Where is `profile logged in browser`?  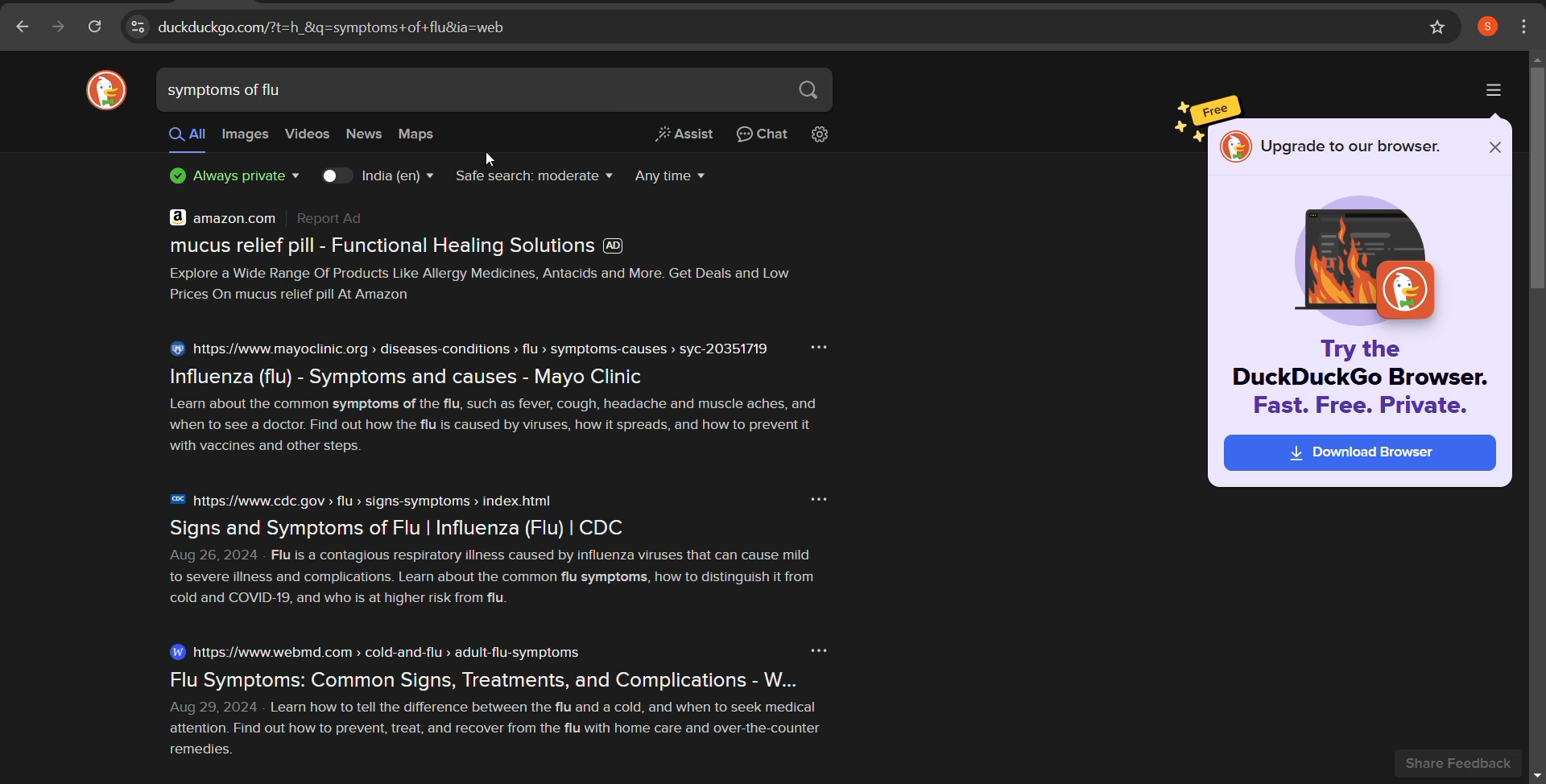
profile logged in browser is located at coordinates (1487, 27).